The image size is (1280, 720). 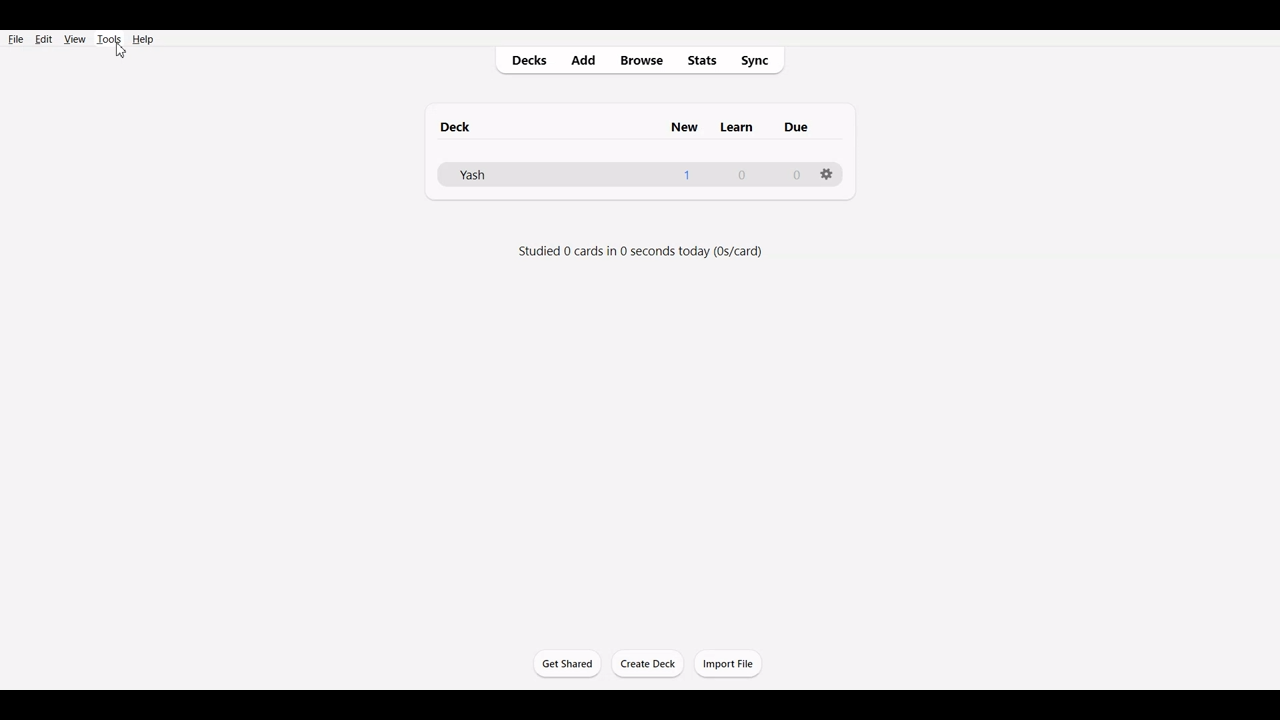 What do you see at coordinates (525, 61) in the screenshot?
I see `Decks` at bounding box center [525, 61].